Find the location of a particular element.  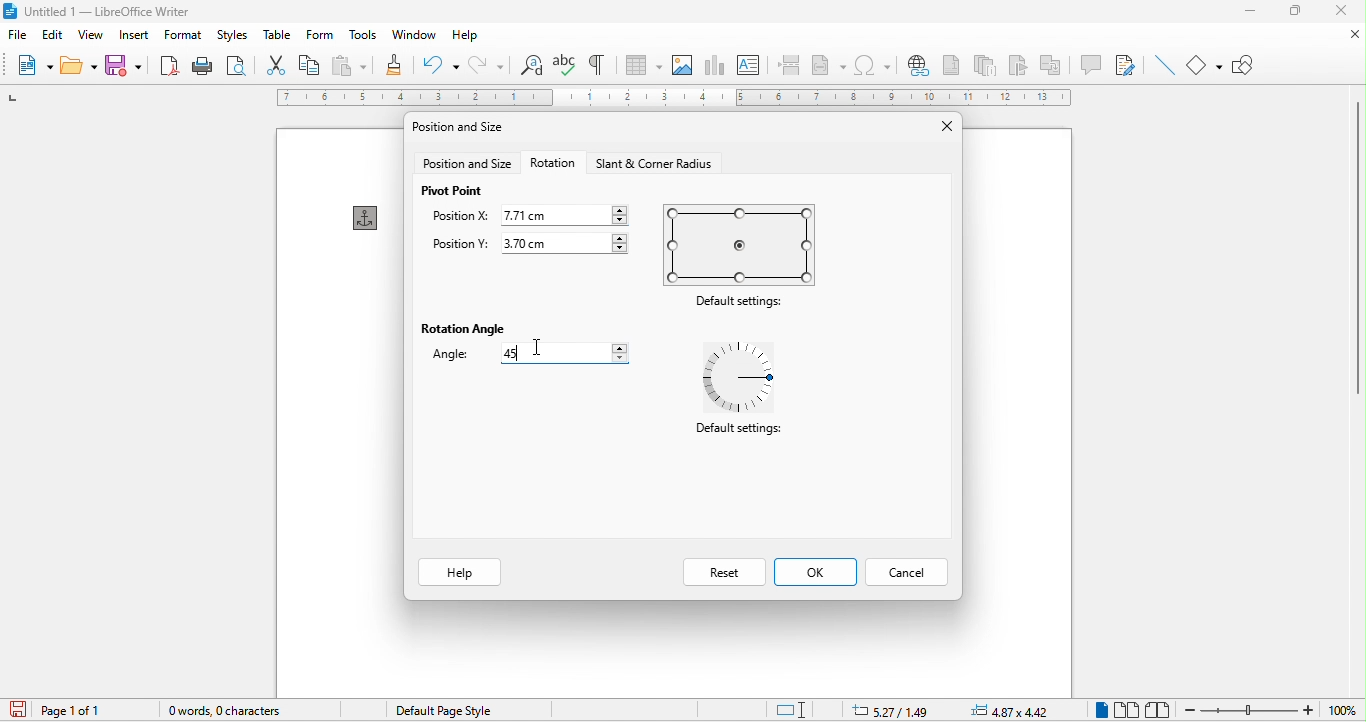

position and size is located at coordinates (468, 127).